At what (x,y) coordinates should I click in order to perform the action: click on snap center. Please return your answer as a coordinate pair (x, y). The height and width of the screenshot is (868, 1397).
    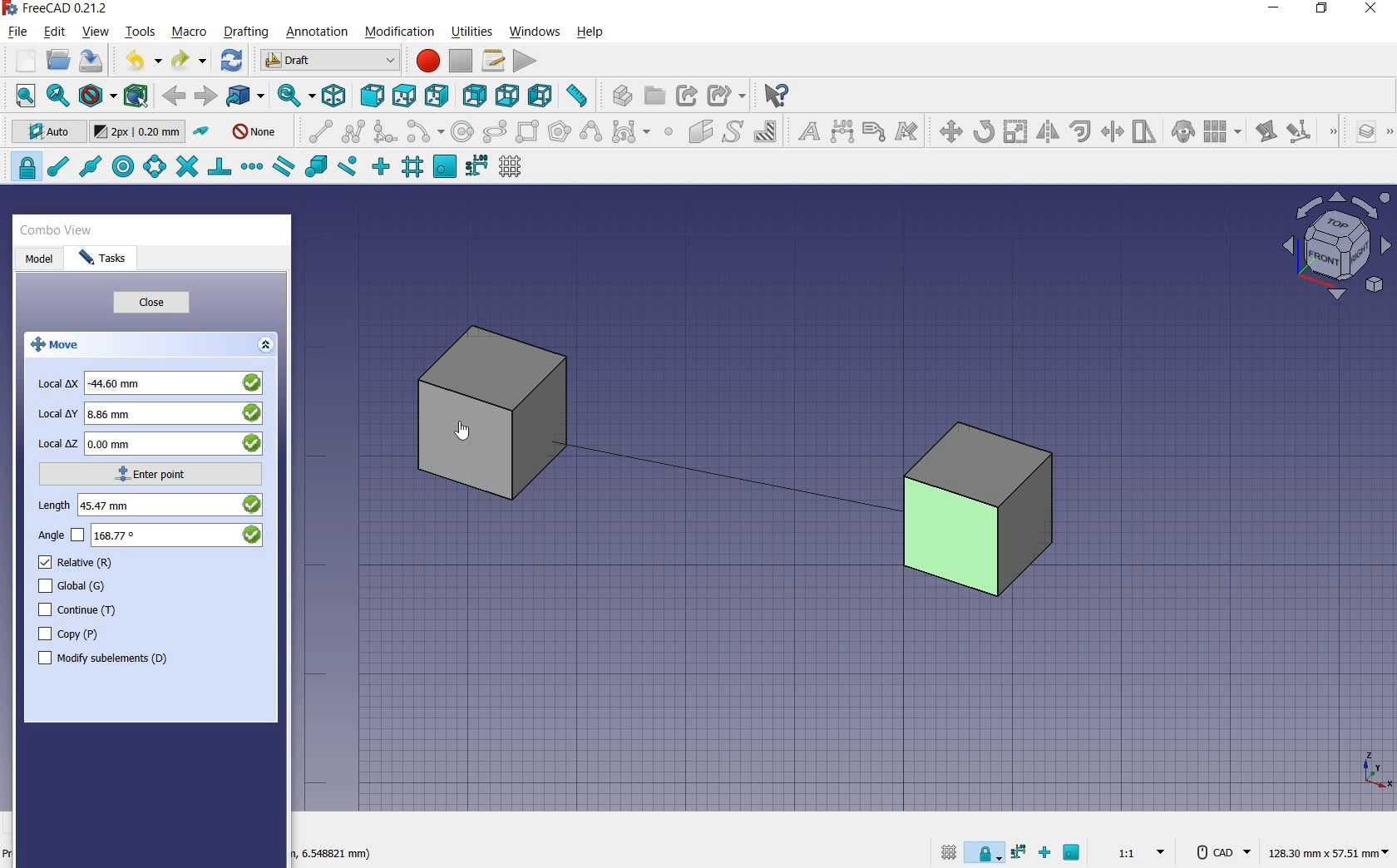
    Looking at the image, I should click on (125, 166).